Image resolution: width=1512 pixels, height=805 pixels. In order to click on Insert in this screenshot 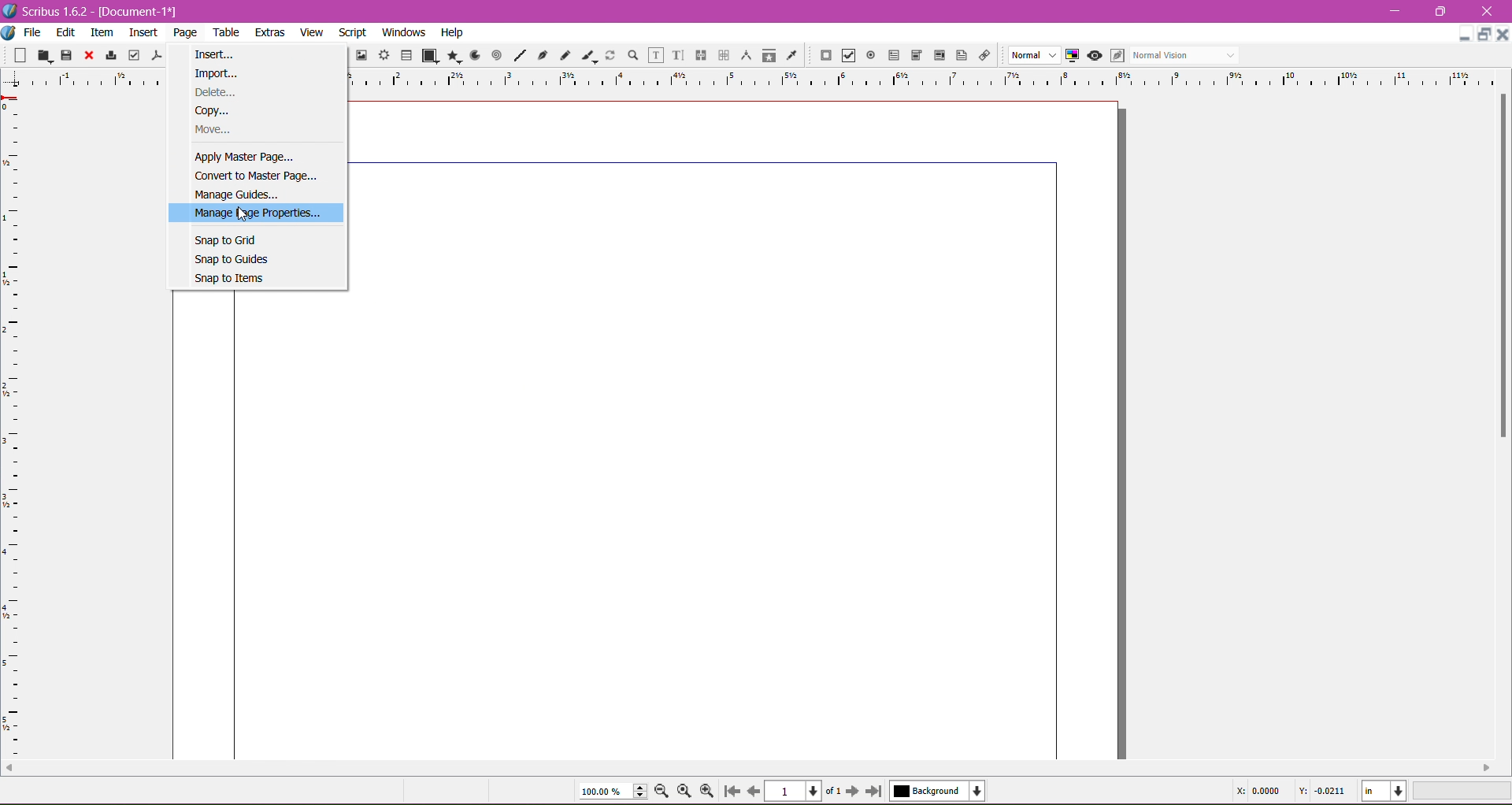, I will do `click(143, 33)`.